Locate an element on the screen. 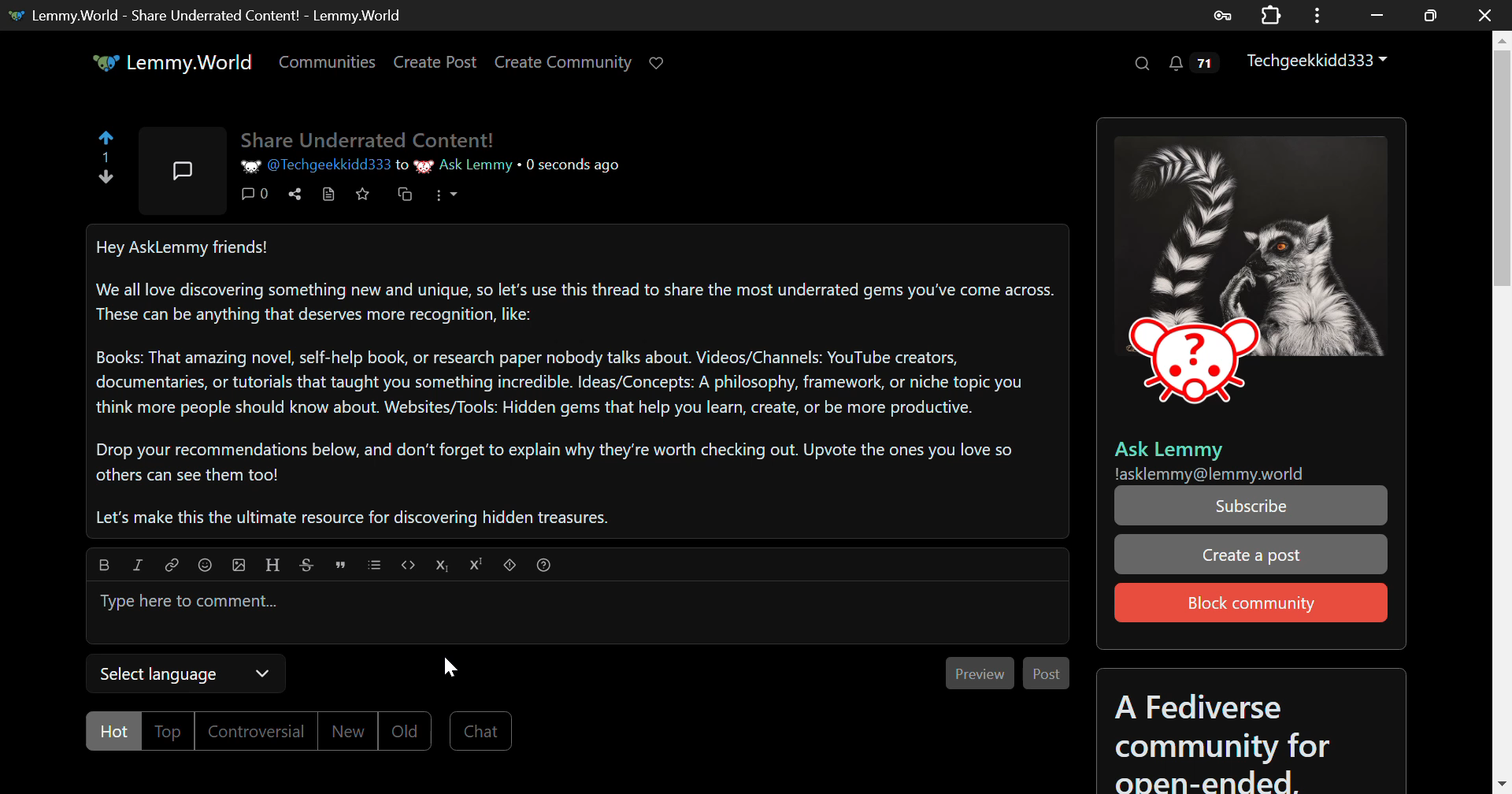  Share Underrated Content! is located at coordinates (369, 137).